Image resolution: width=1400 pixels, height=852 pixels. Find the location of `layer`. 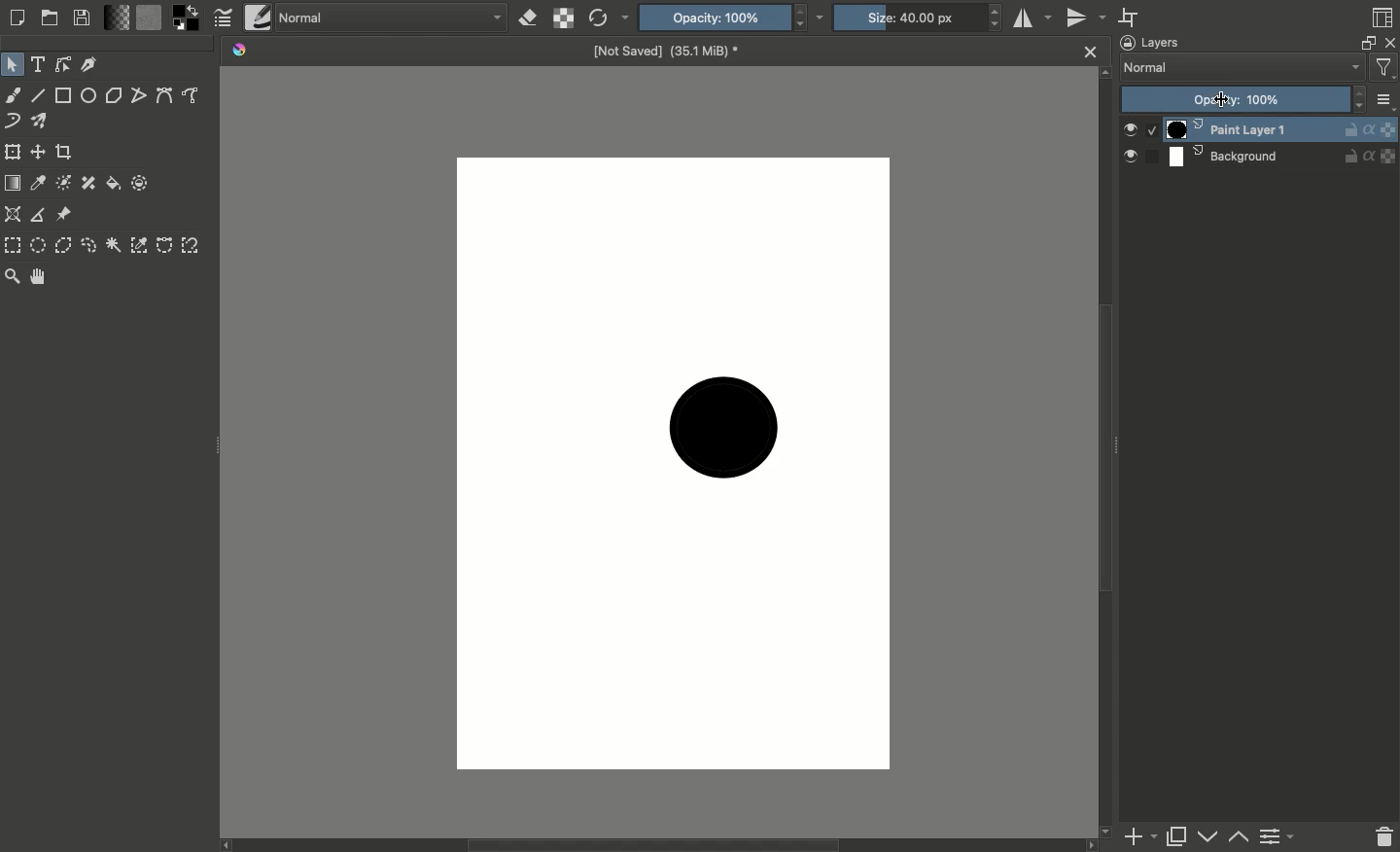

layer is located at coordinates (1389, 156).